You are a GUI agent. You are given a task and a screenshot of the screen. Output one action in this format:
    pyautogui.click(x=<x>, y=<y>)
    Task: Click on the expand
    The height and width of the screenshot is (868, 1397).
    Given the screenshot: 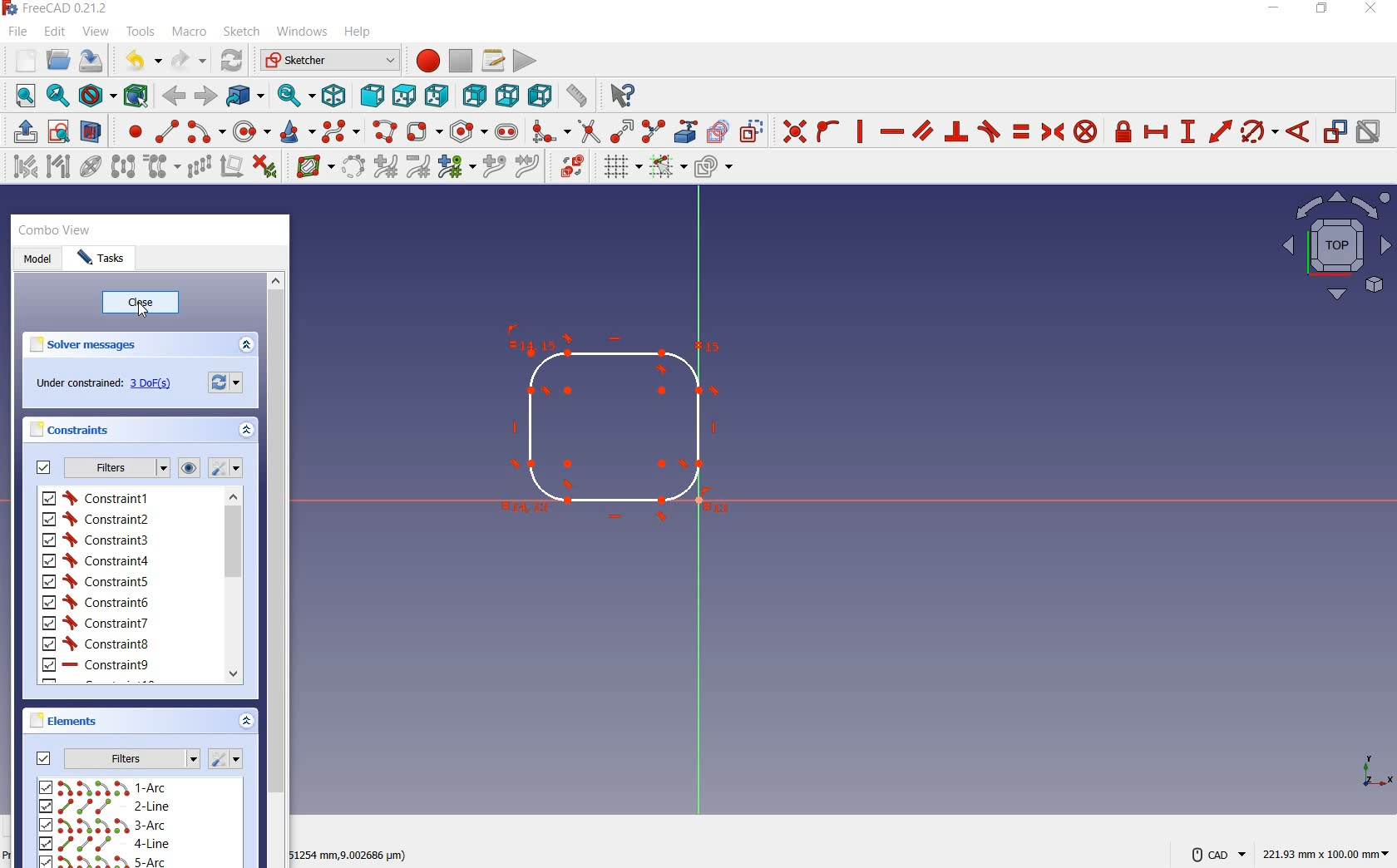 What is the action you would take?
    pyautogui.click(x=247, y=431)
    